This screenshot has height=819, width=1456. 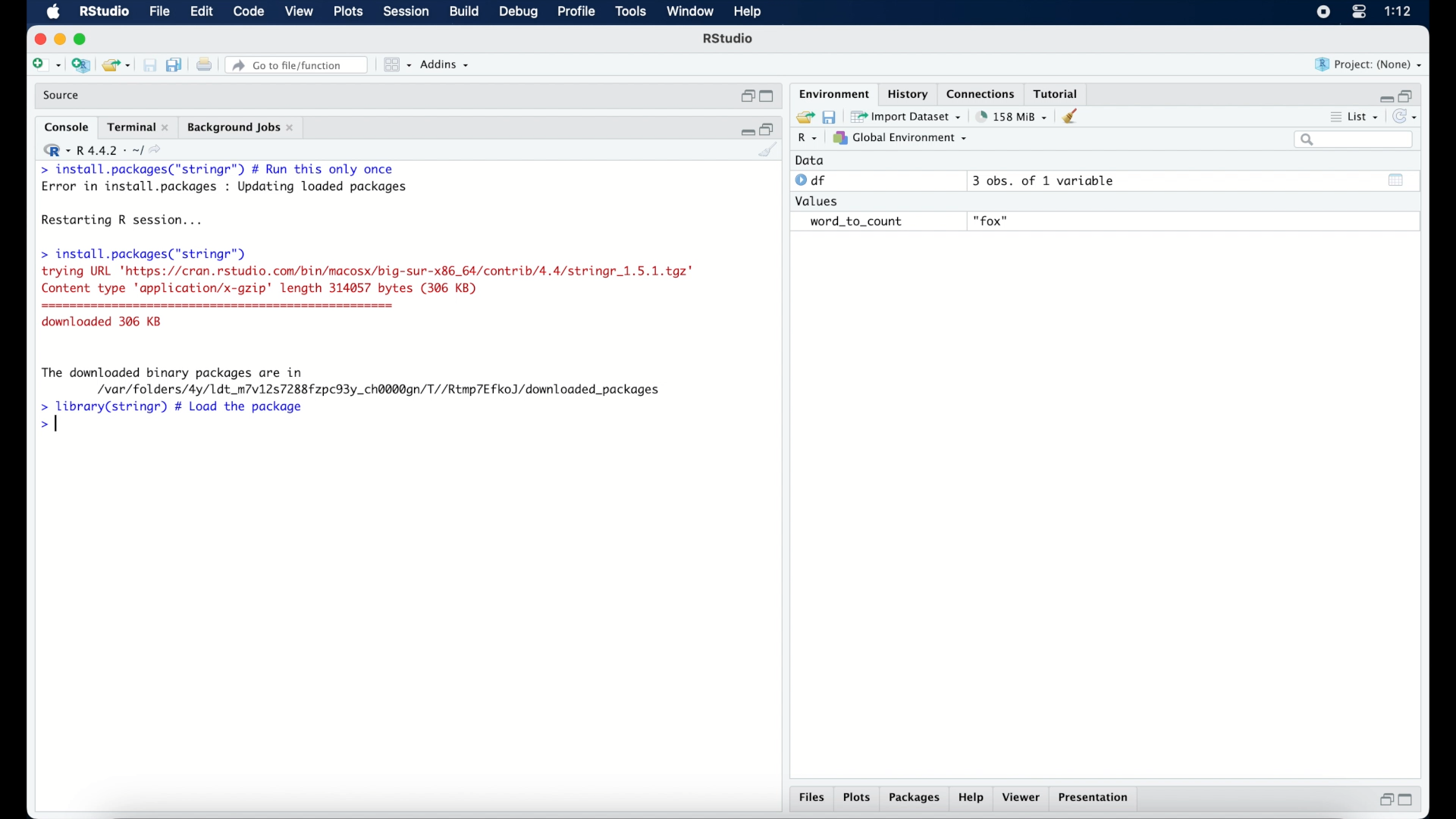 I want to click on fox, so click(x=992, y=221).